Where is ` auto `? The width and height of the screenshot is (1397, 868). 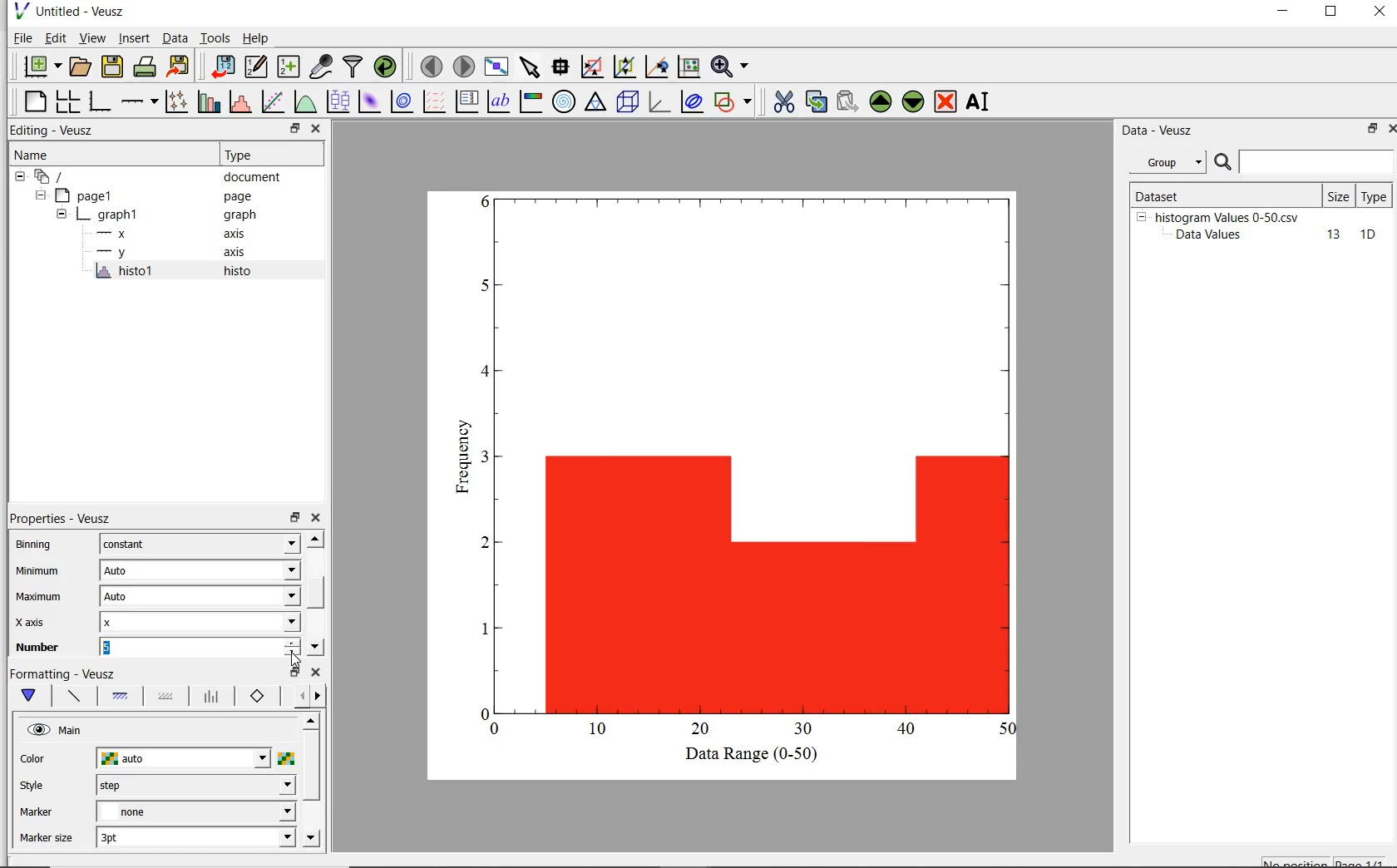
 auto  is located at coordinates (185, 759).